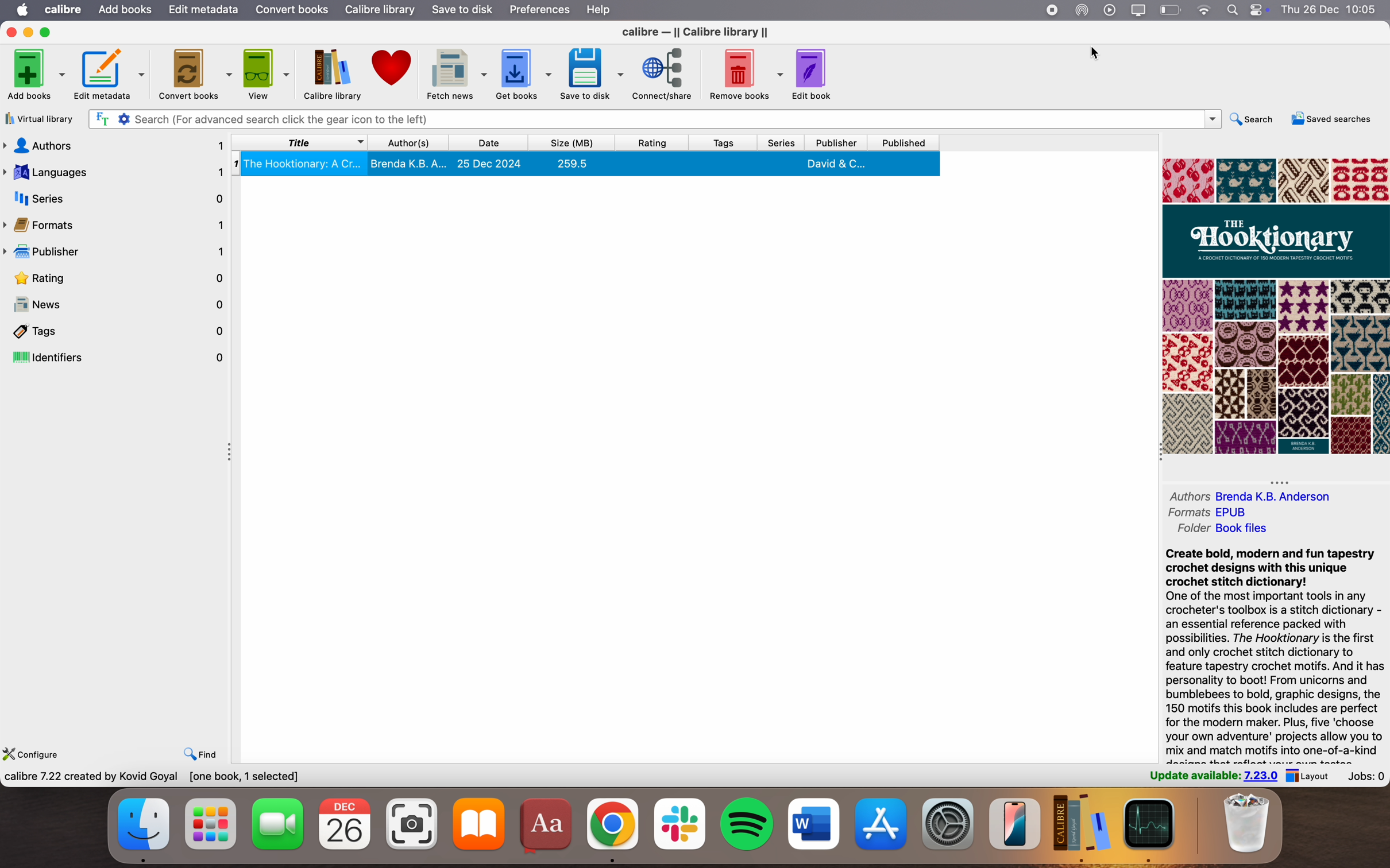 This screenshot has width=1390, height=868. What do you see at coordinates (747, 821) in the screenshot?
I see `spotify` at bounding box center [747, 821].